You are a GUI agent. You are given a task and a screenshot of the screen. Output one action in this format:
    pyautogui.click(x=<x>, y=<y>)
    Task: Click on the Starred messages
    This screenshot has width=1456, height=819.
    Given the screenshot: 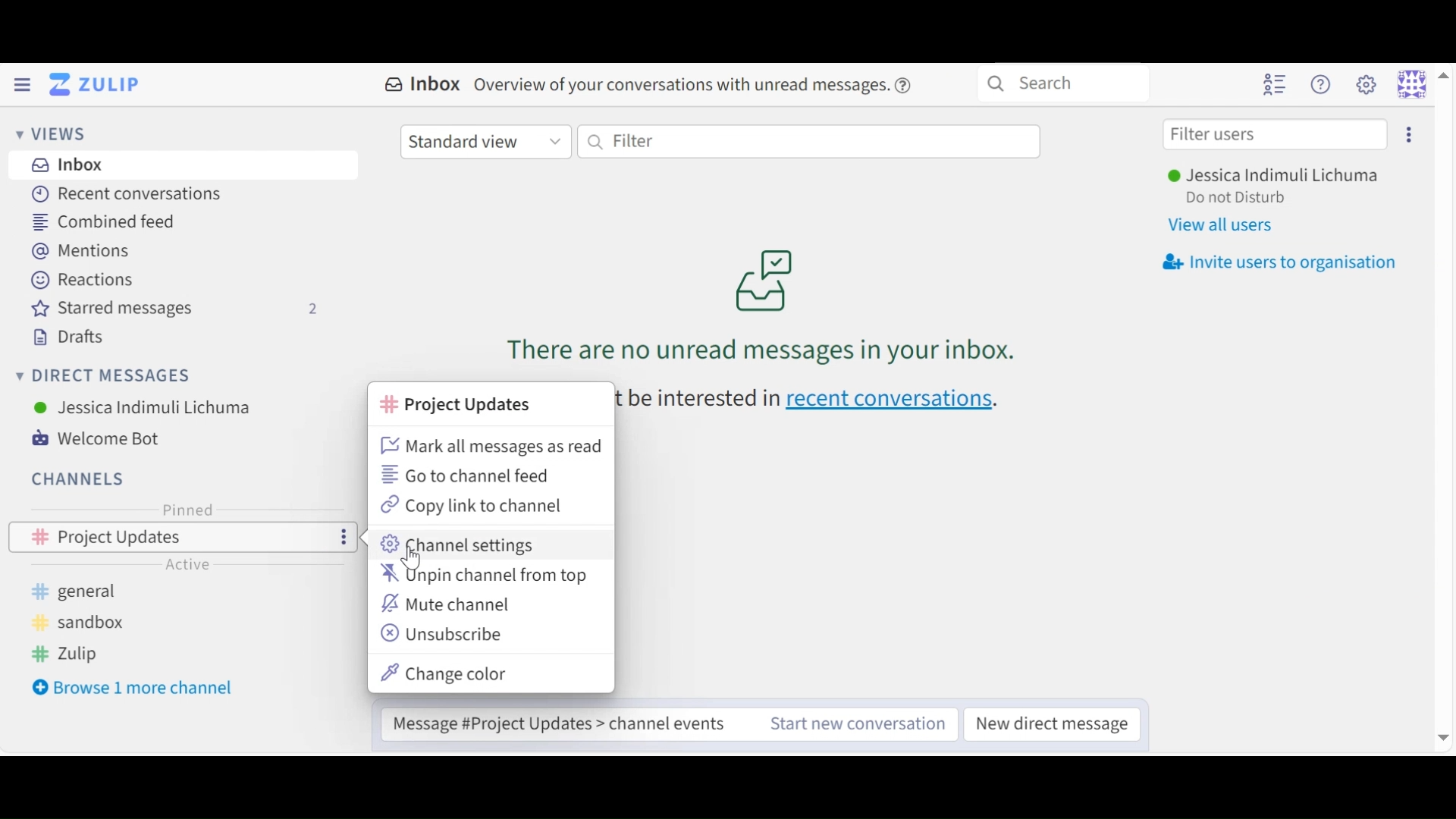 What is the action you would take?
    pyautogui.click(x=181, y=309)
    